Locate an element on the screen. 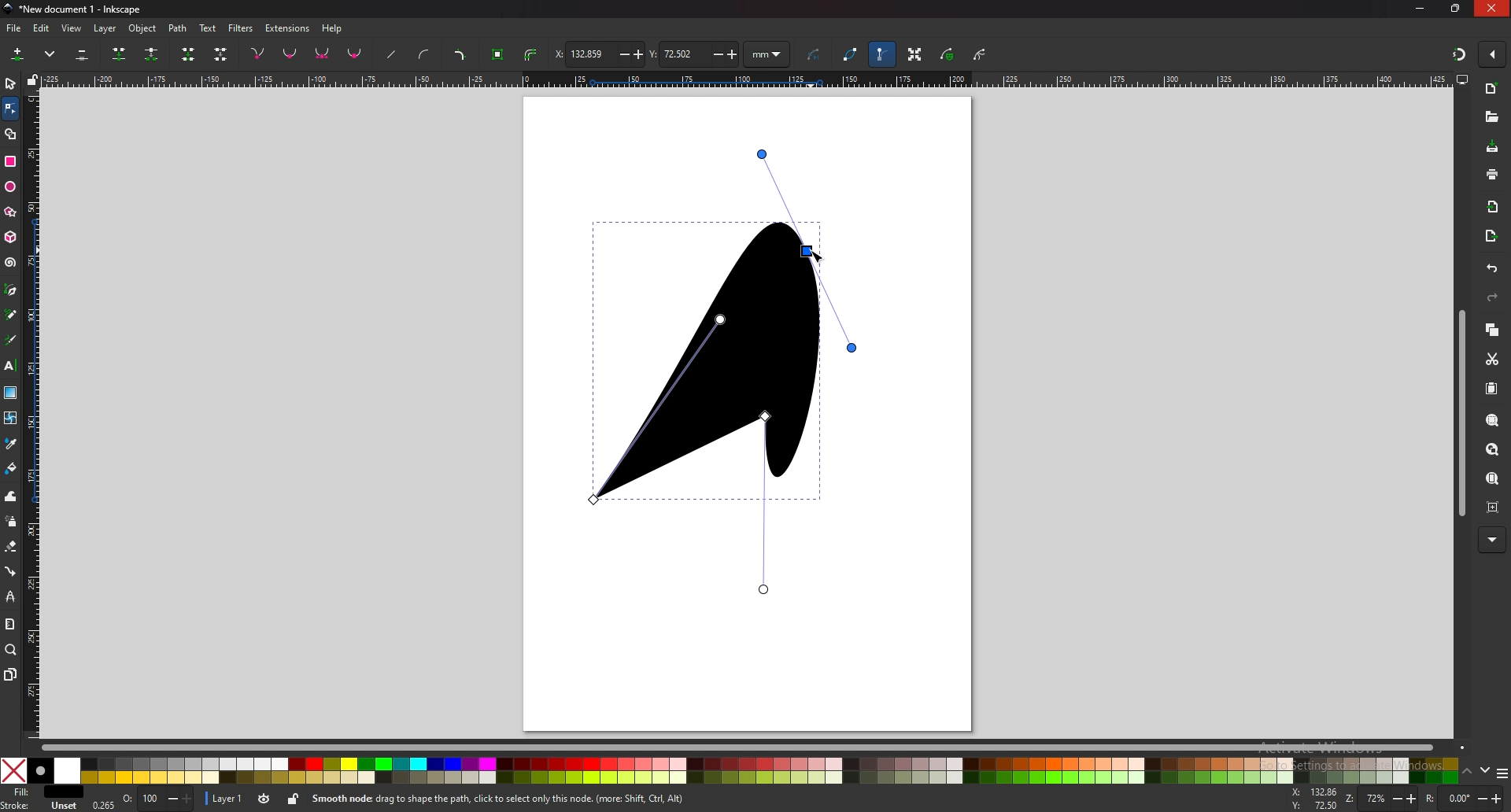 Image resolution: width=1511 pixels, height=812 pixels. pages is located at coordinates (10, 675).